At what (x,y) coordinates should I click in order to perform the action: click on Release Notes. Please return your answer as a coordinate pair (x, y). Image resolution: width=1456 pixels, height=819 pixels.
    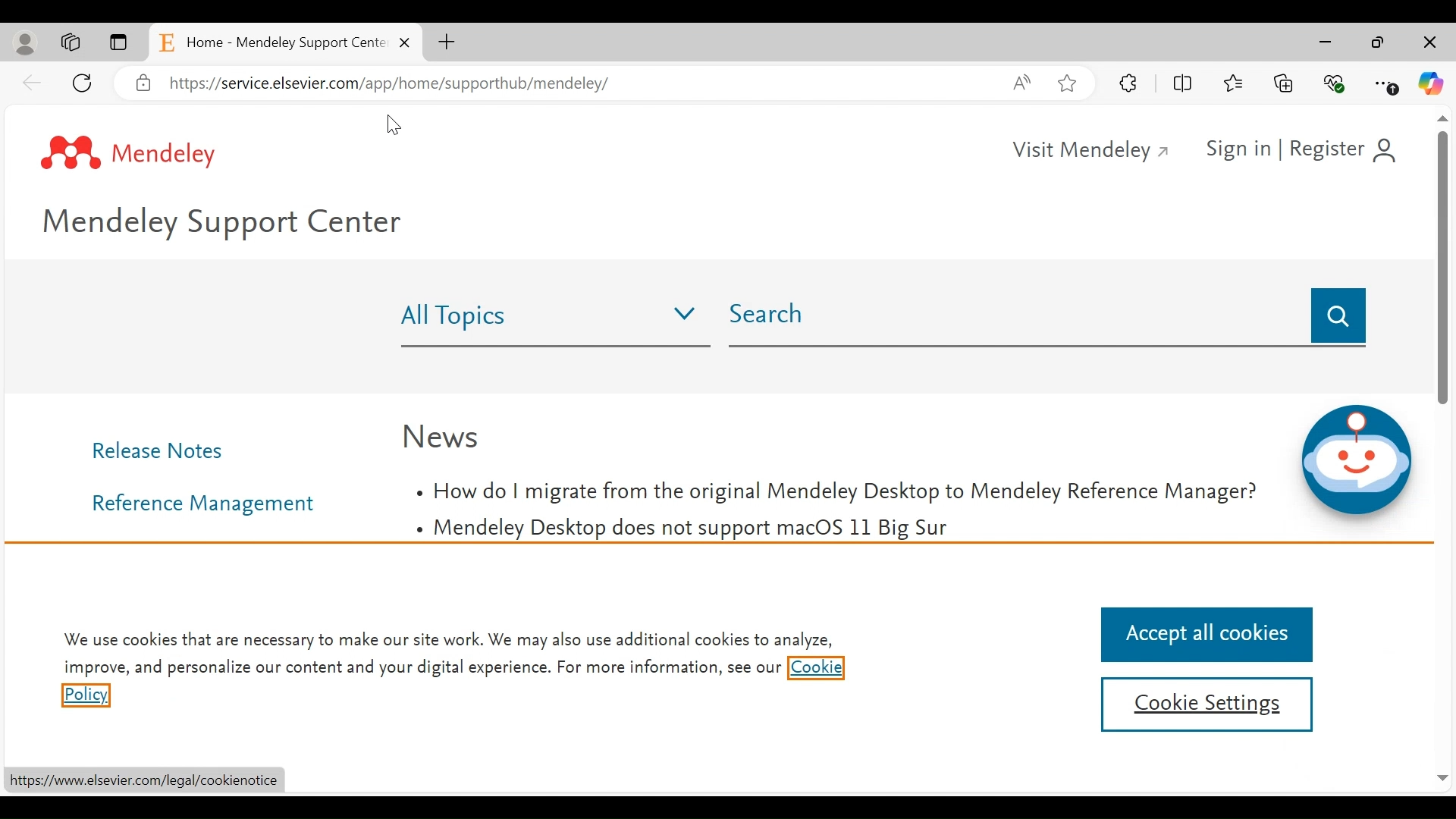
    Looking at the image, I should click on (165, 450).